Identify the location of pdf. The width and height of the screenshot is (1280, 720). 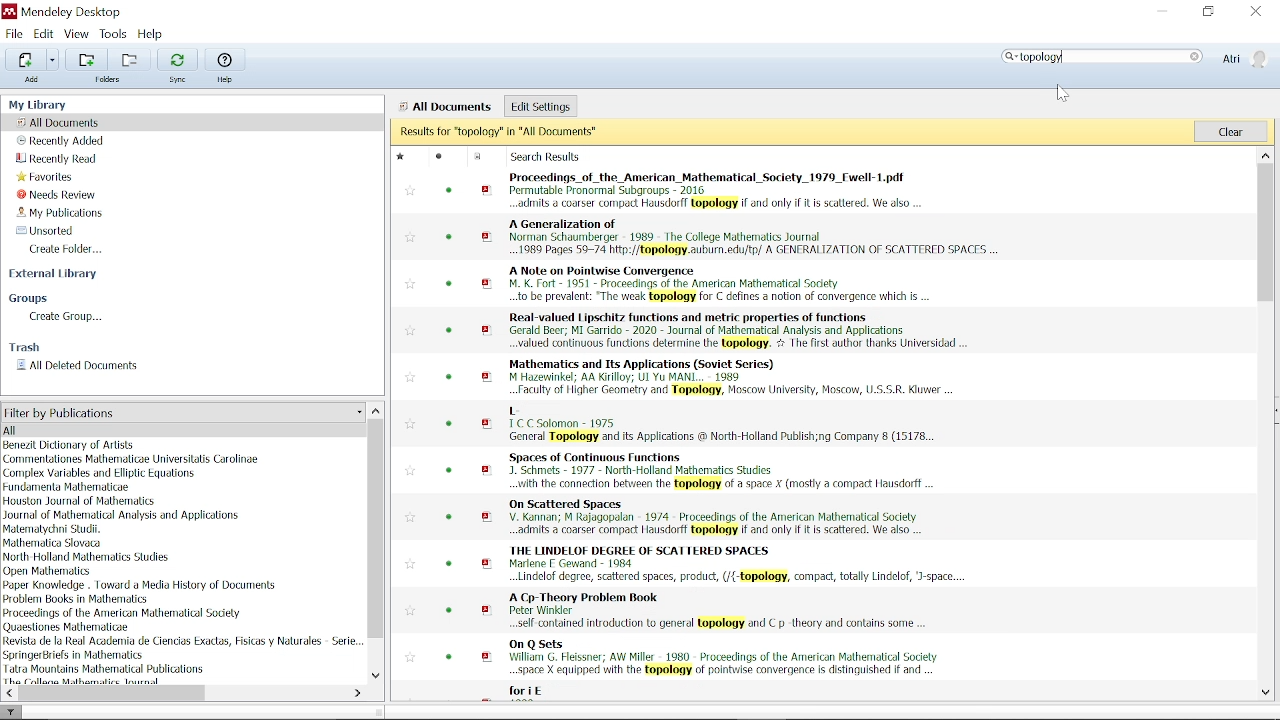
(488, 286).